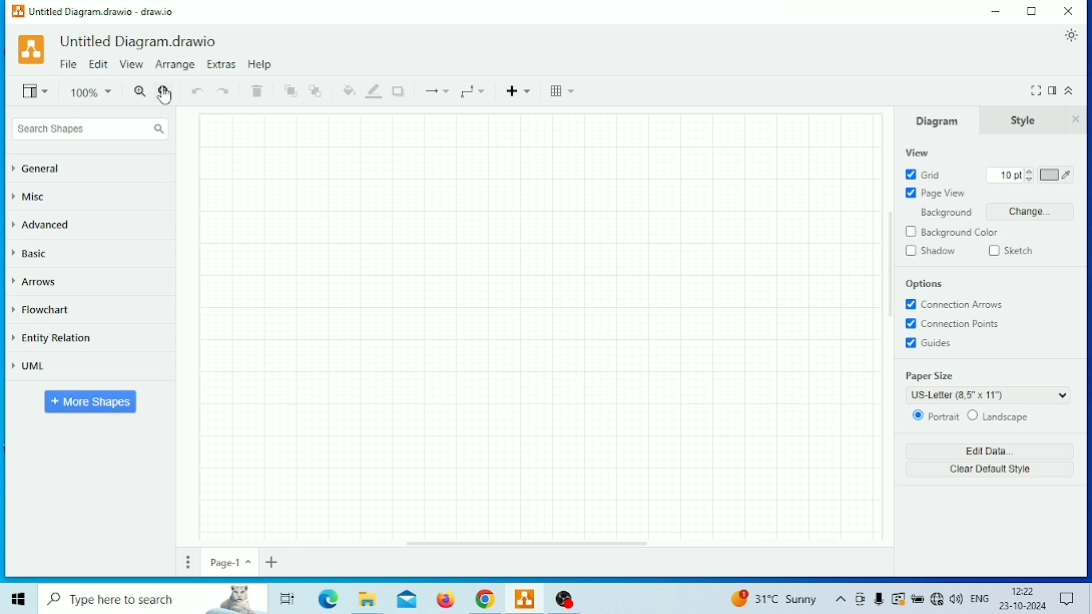 Image resolution: width=1092 pixels, height=614 pixels. I want to click on Redo, so click(225, 91).